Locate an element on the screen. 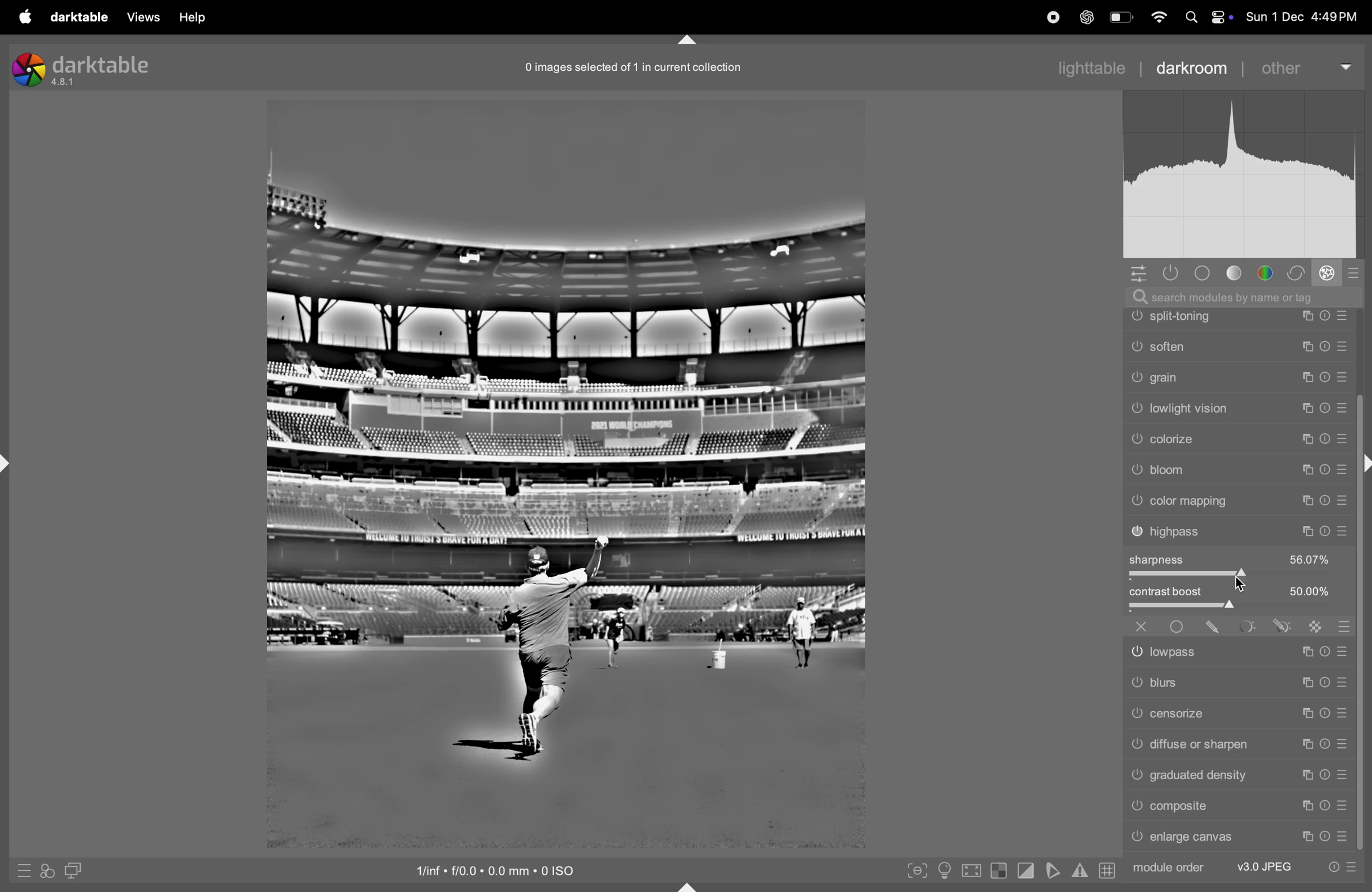 The width and height of the screenshot is (1372, 892). 0 record is located at coordinates (636, 66).